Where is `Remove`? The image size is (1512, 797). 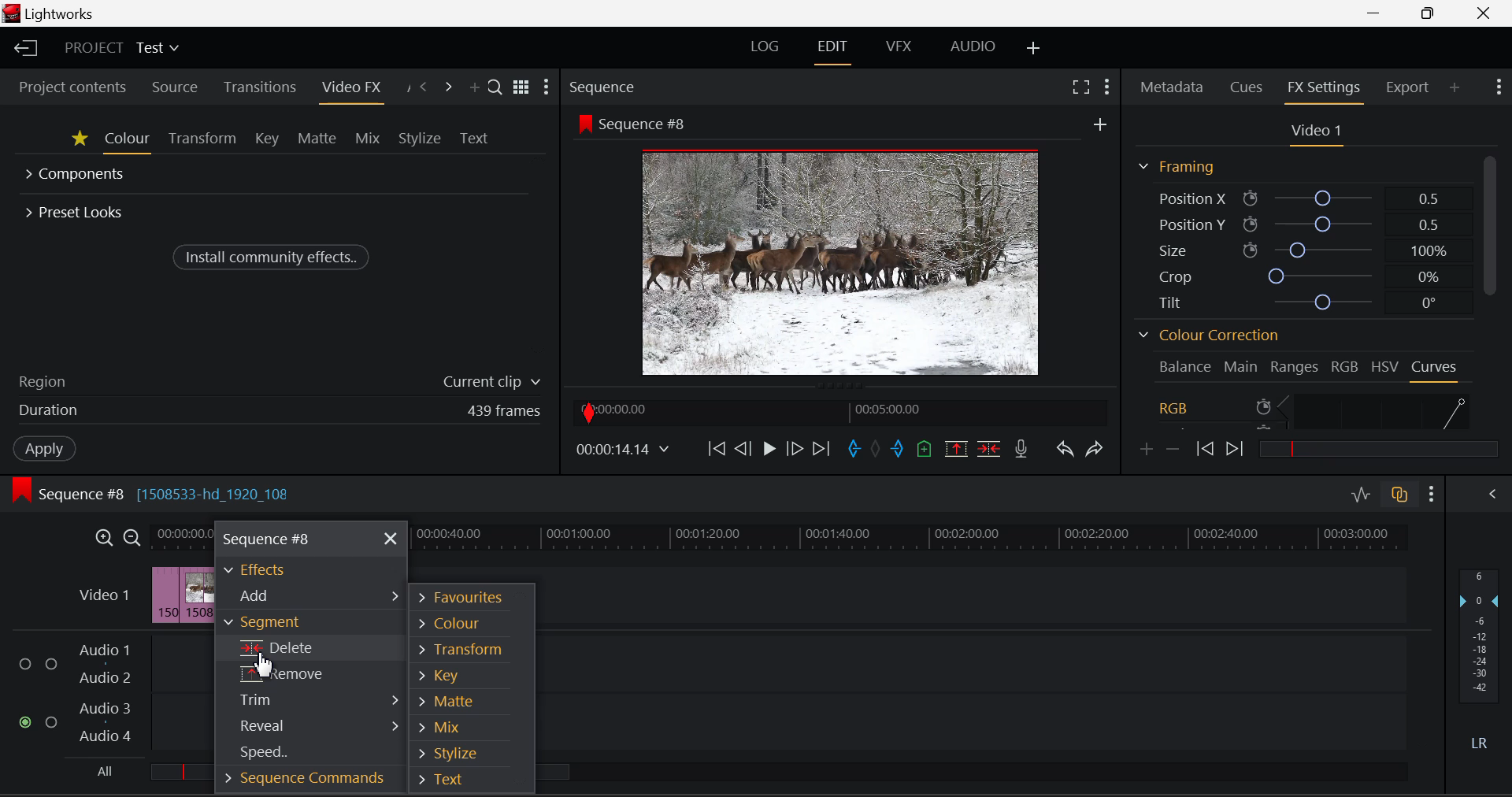
Remove is located at coordinates (306, 673).